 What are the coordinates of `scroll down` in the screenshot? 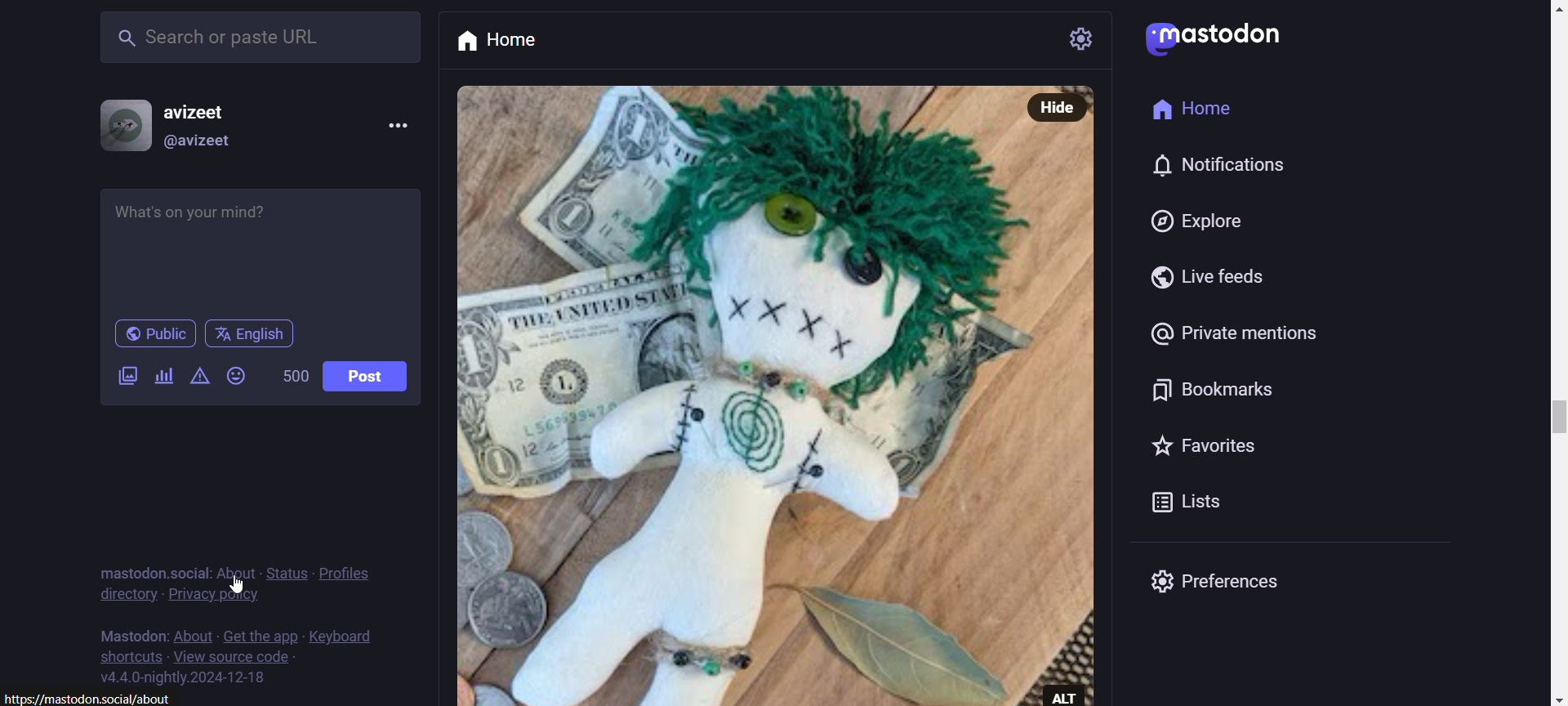 It's located at (1548, 699).